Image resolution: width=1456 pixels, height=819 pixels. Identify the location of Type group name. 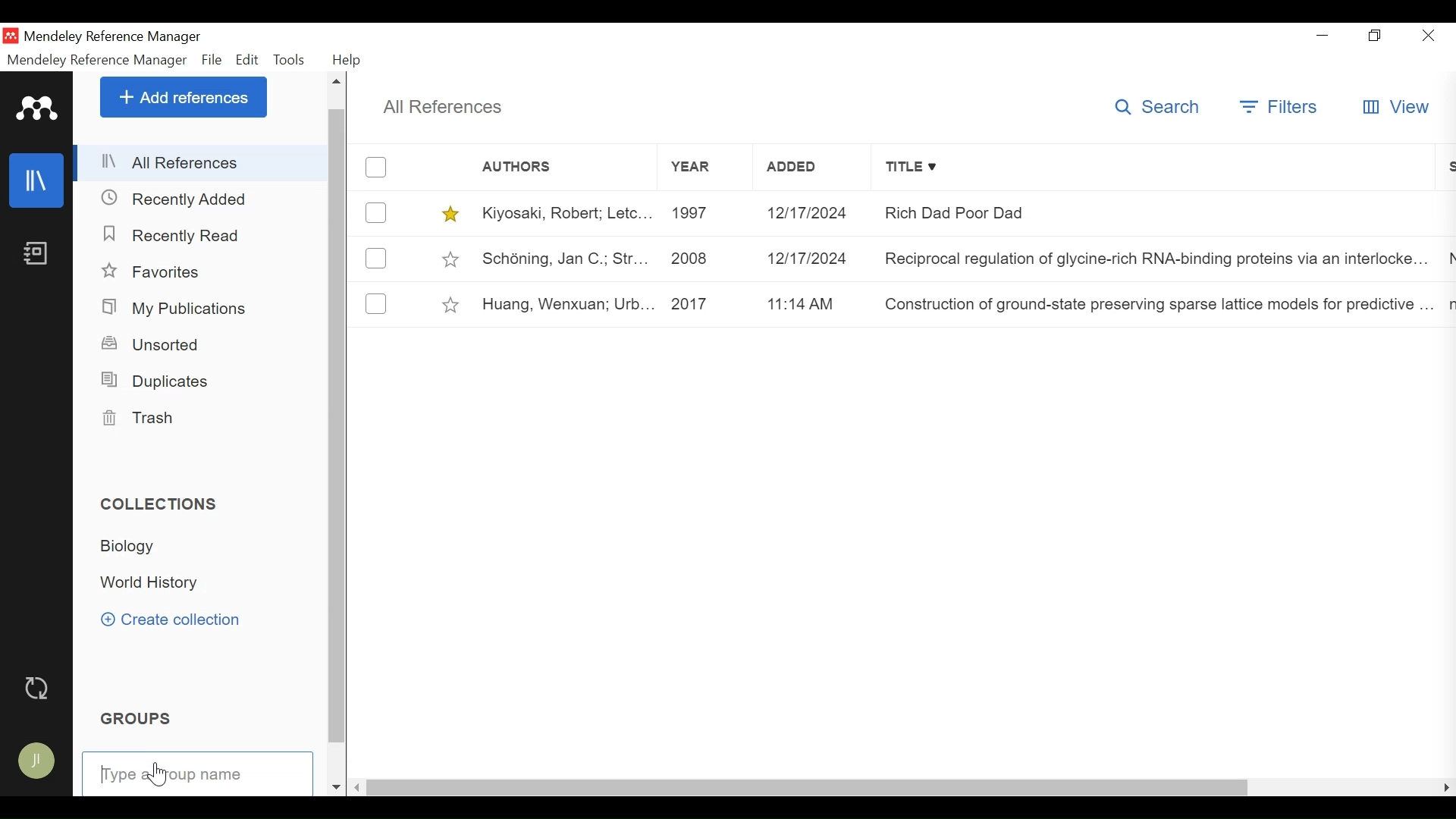
(198, 774).